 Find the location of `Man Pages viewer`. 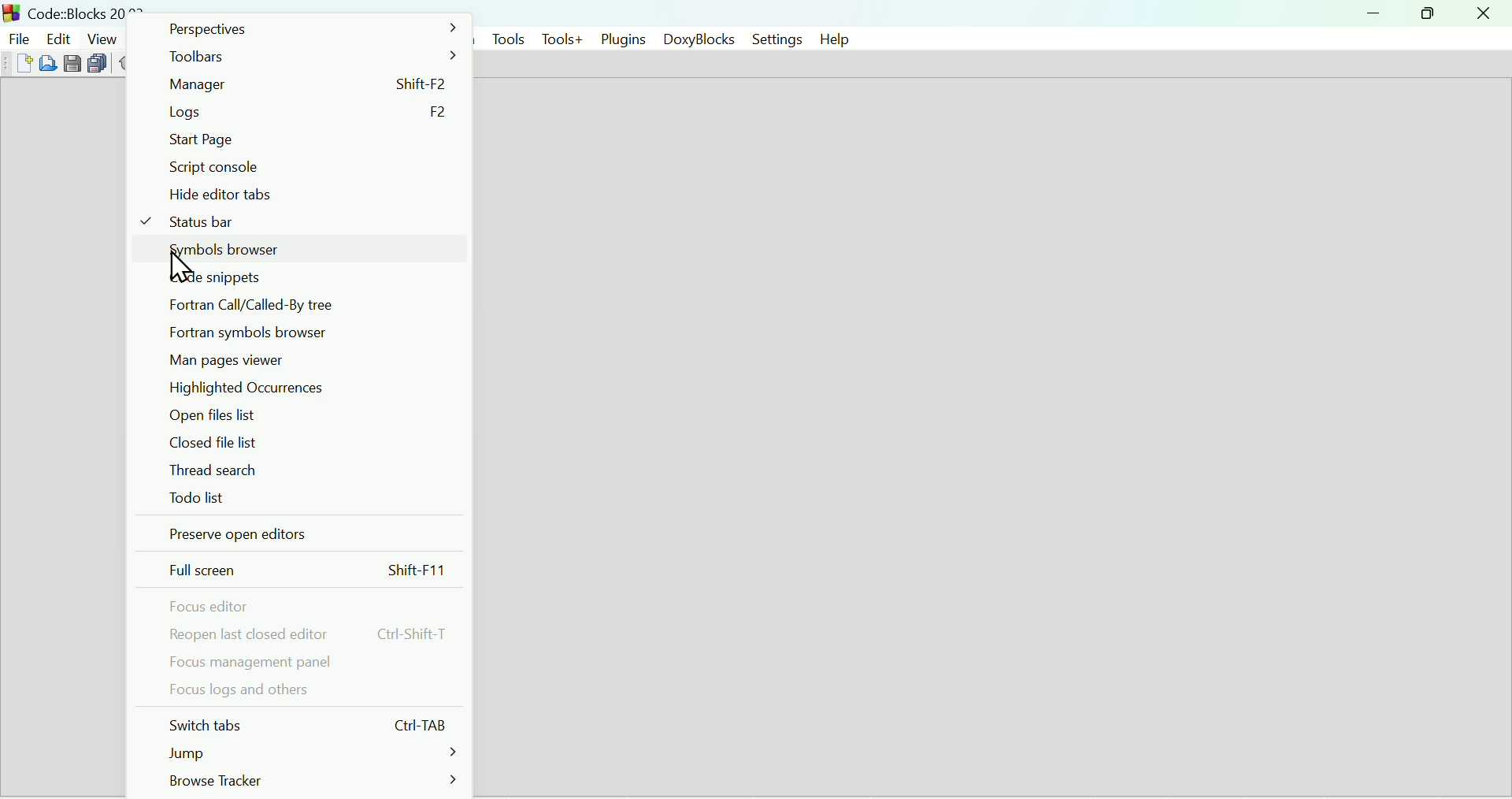

Man Pages viewer is located at coordinates (306, 359).